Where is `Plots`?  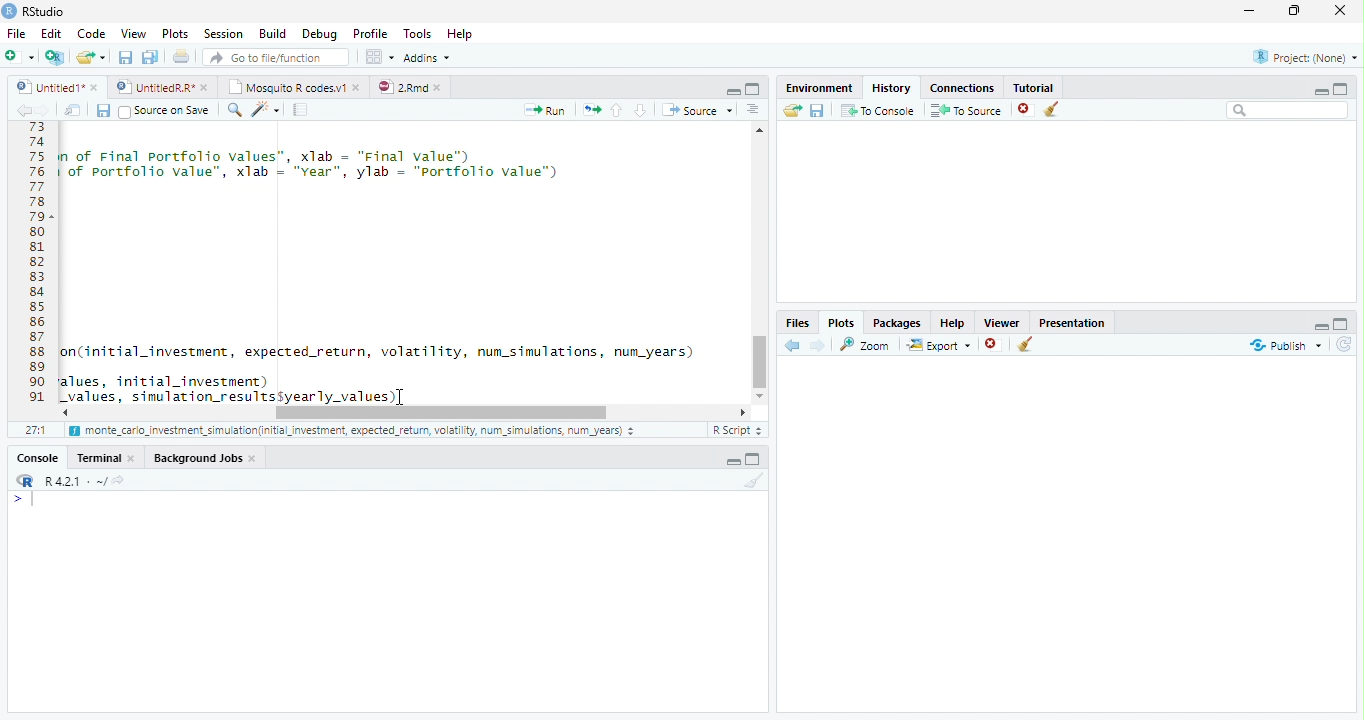 Plots is located at coordinates (841, 322).